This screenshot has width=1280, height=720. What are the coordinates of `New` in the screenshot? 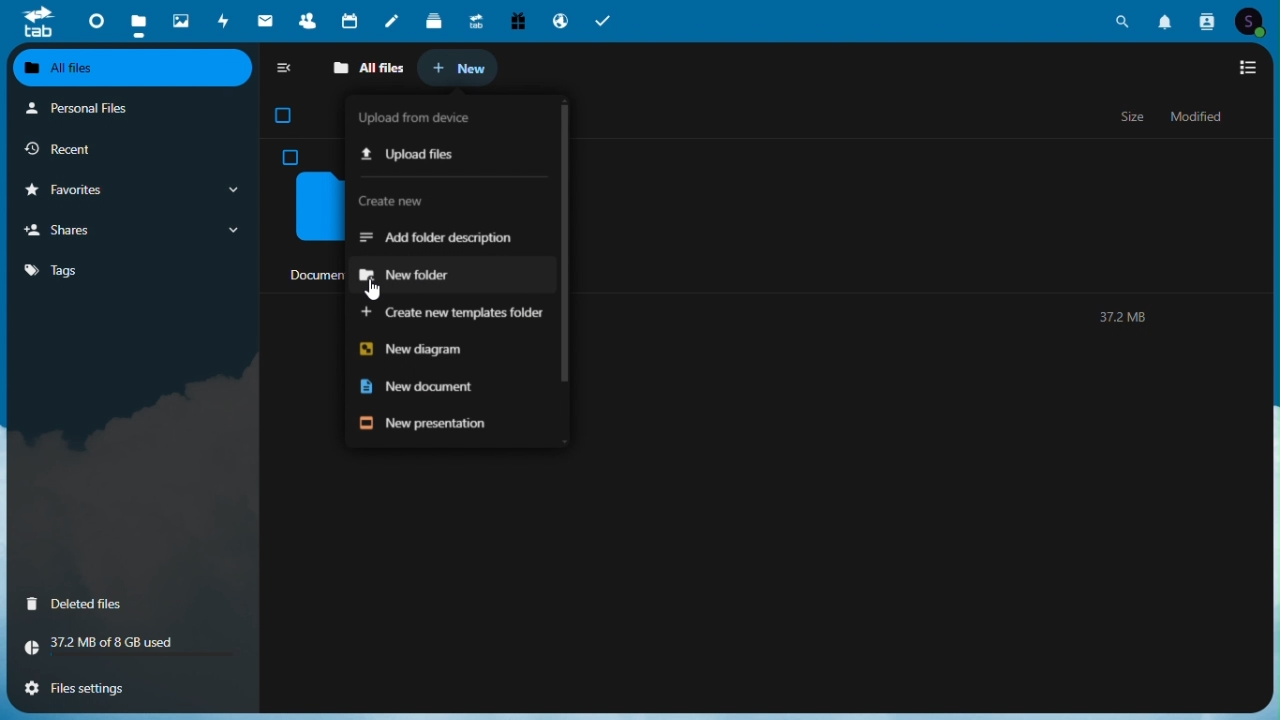 It's located at (459, 66).